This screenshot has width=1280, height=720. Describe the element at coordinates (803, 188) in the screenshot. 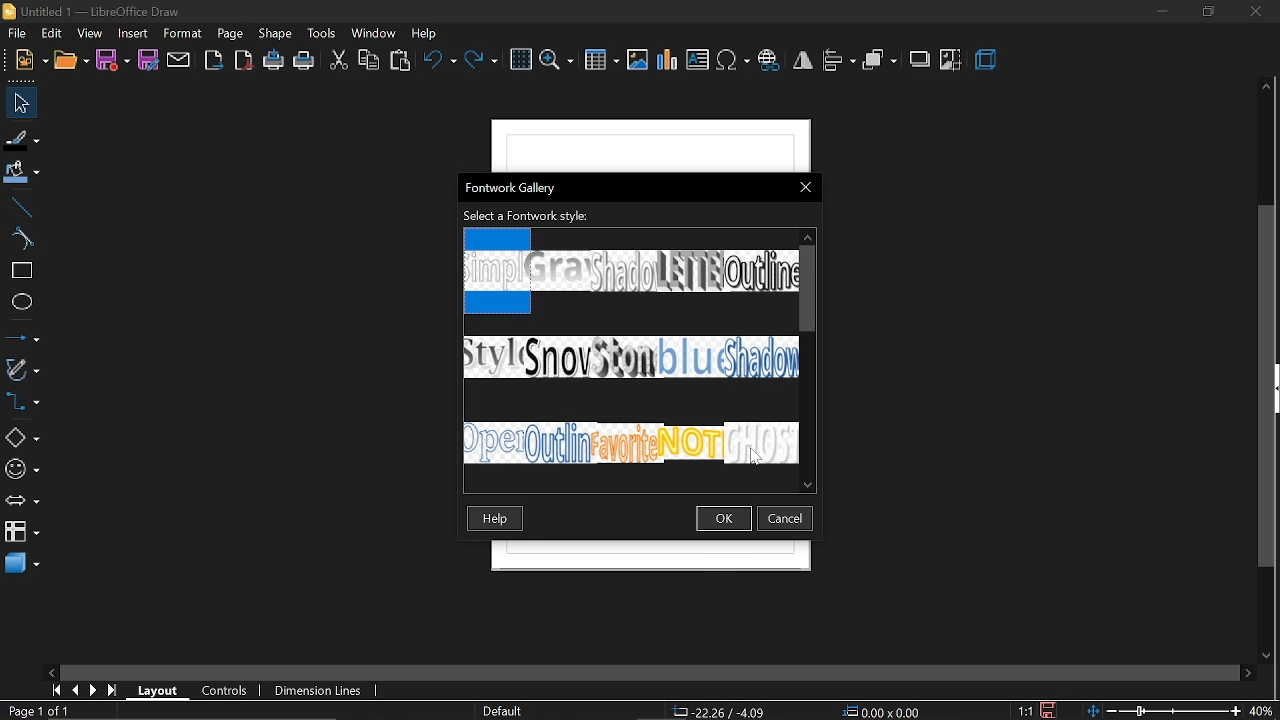

I see `close` at that location.